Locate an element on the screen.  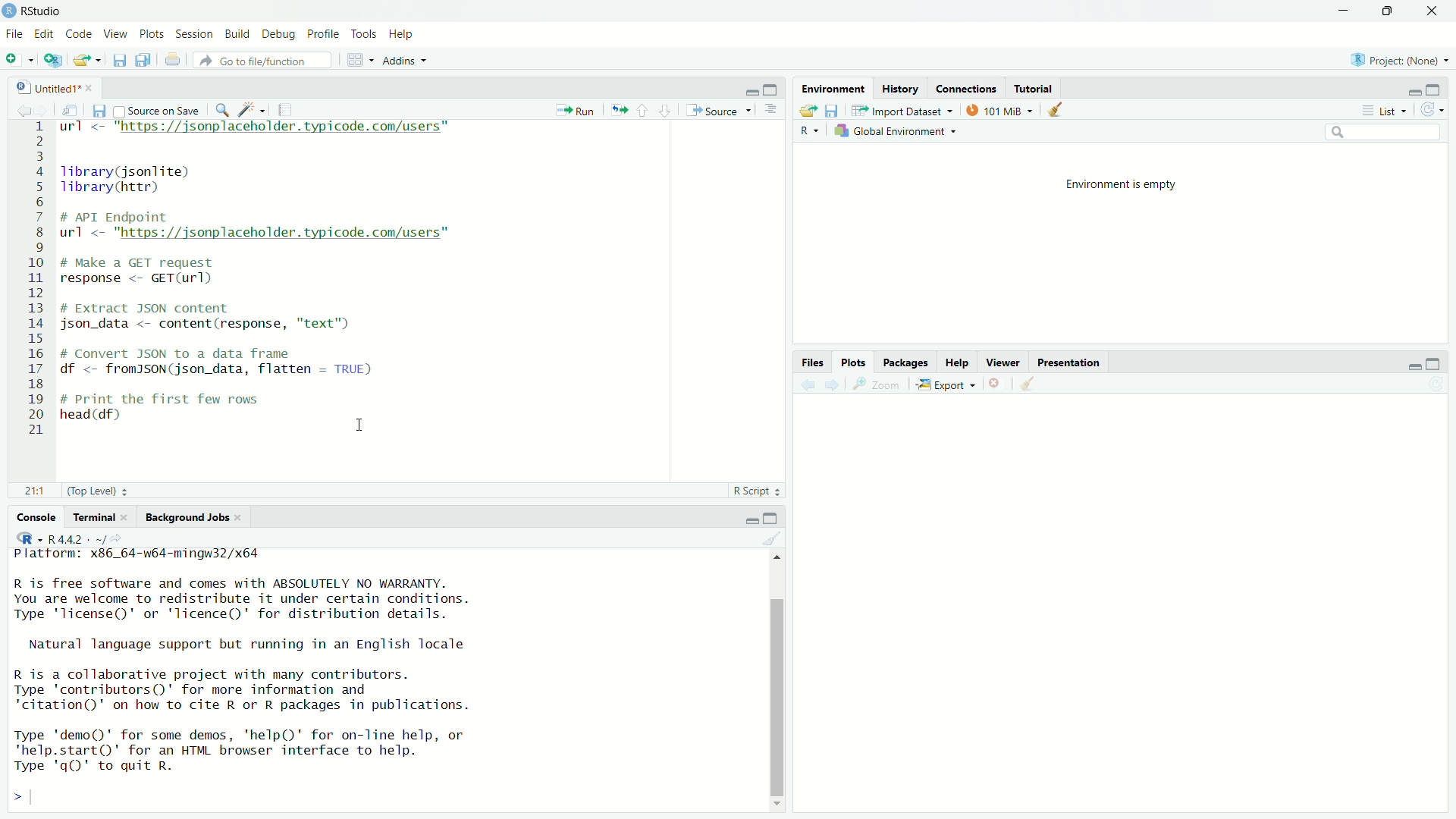
View is located at coordinates (115, 35).